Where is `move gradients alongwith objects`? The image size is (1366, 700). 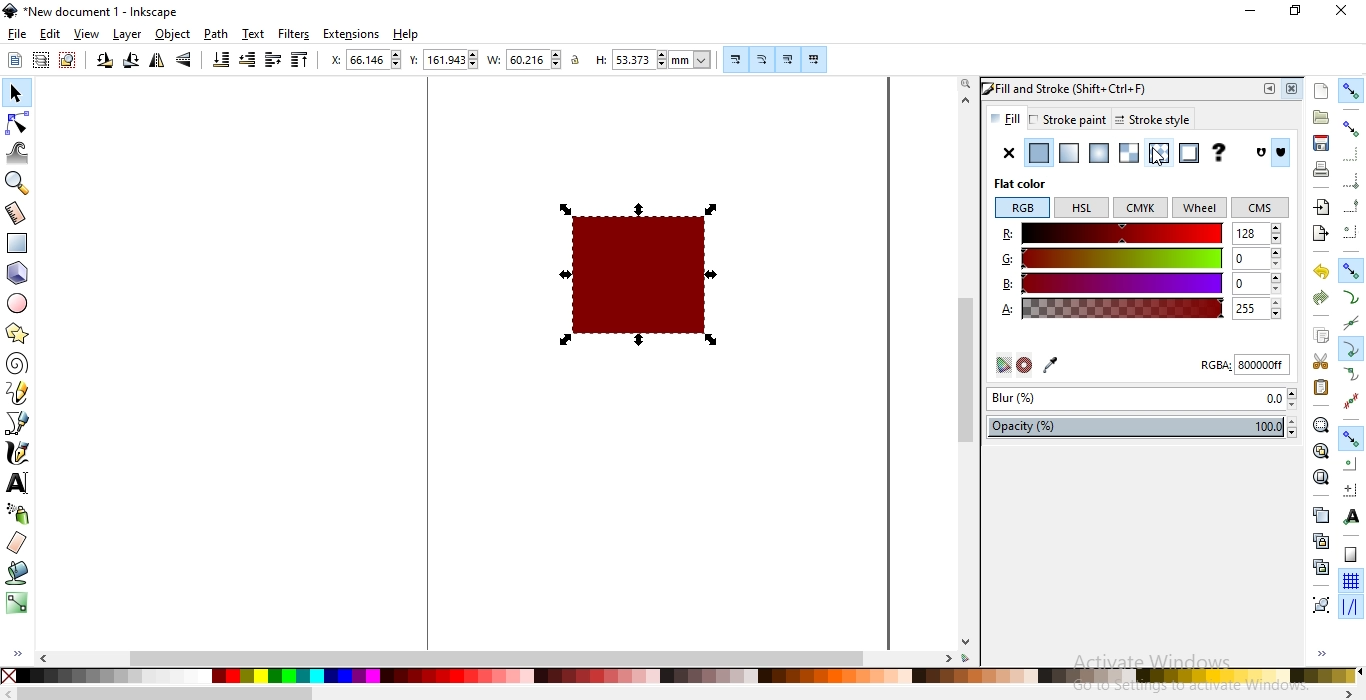
move gradients alongwith objects is located at coordinates (787, 61).